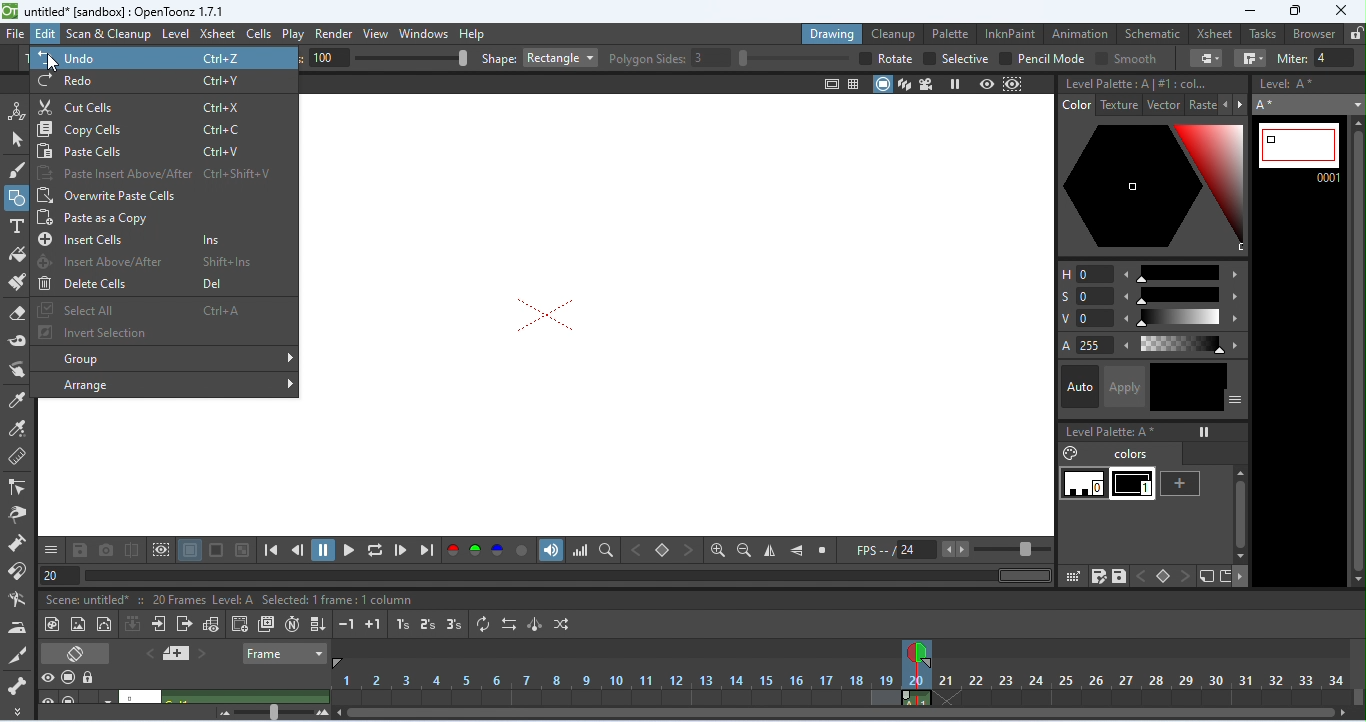  Describe the element at coordinates (374, 624) in the screenshot. I see `increase step` at that location.